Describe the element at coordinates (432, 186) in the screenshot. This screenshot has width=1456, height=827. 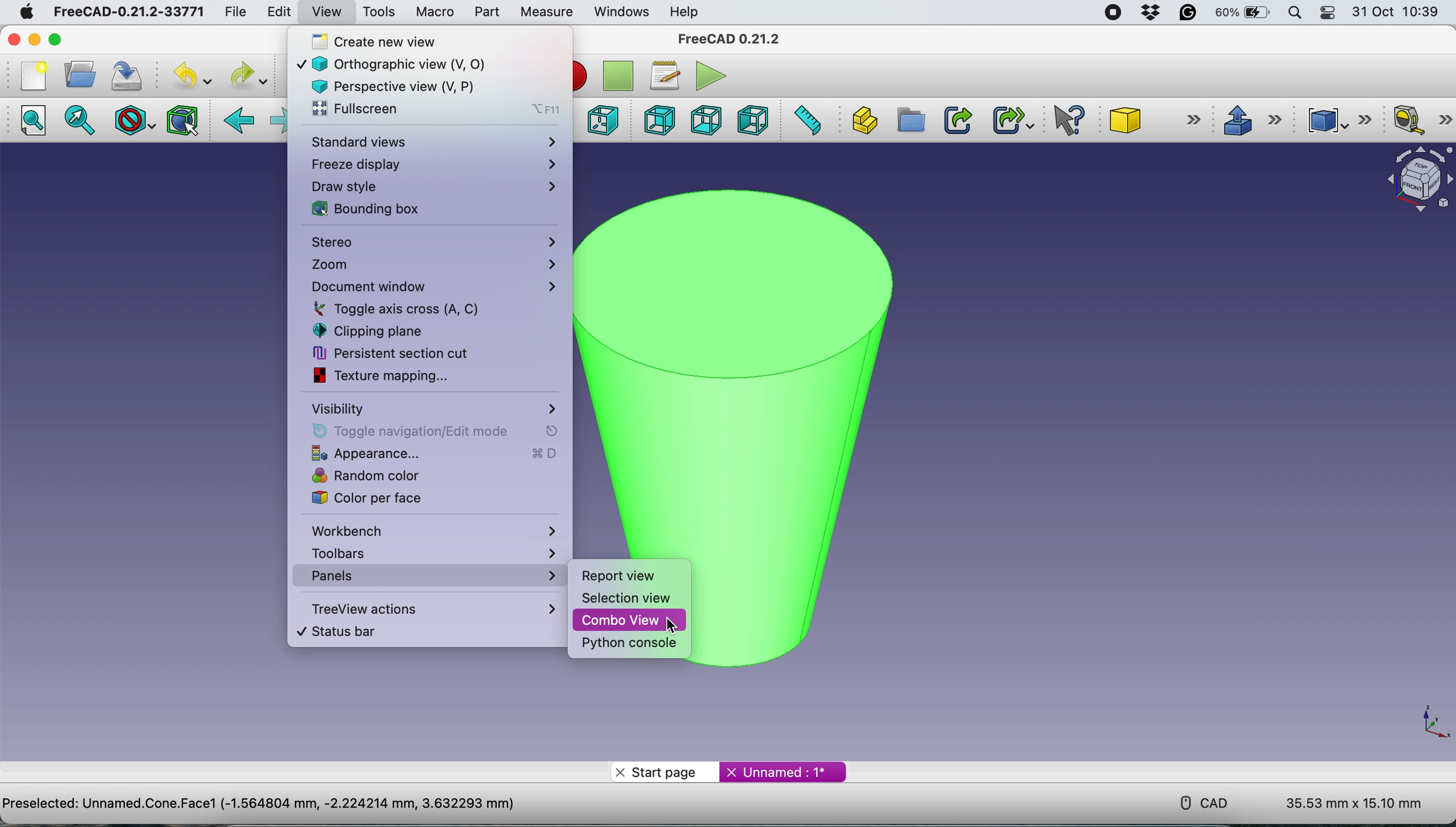
I see `draw style ` at that location.